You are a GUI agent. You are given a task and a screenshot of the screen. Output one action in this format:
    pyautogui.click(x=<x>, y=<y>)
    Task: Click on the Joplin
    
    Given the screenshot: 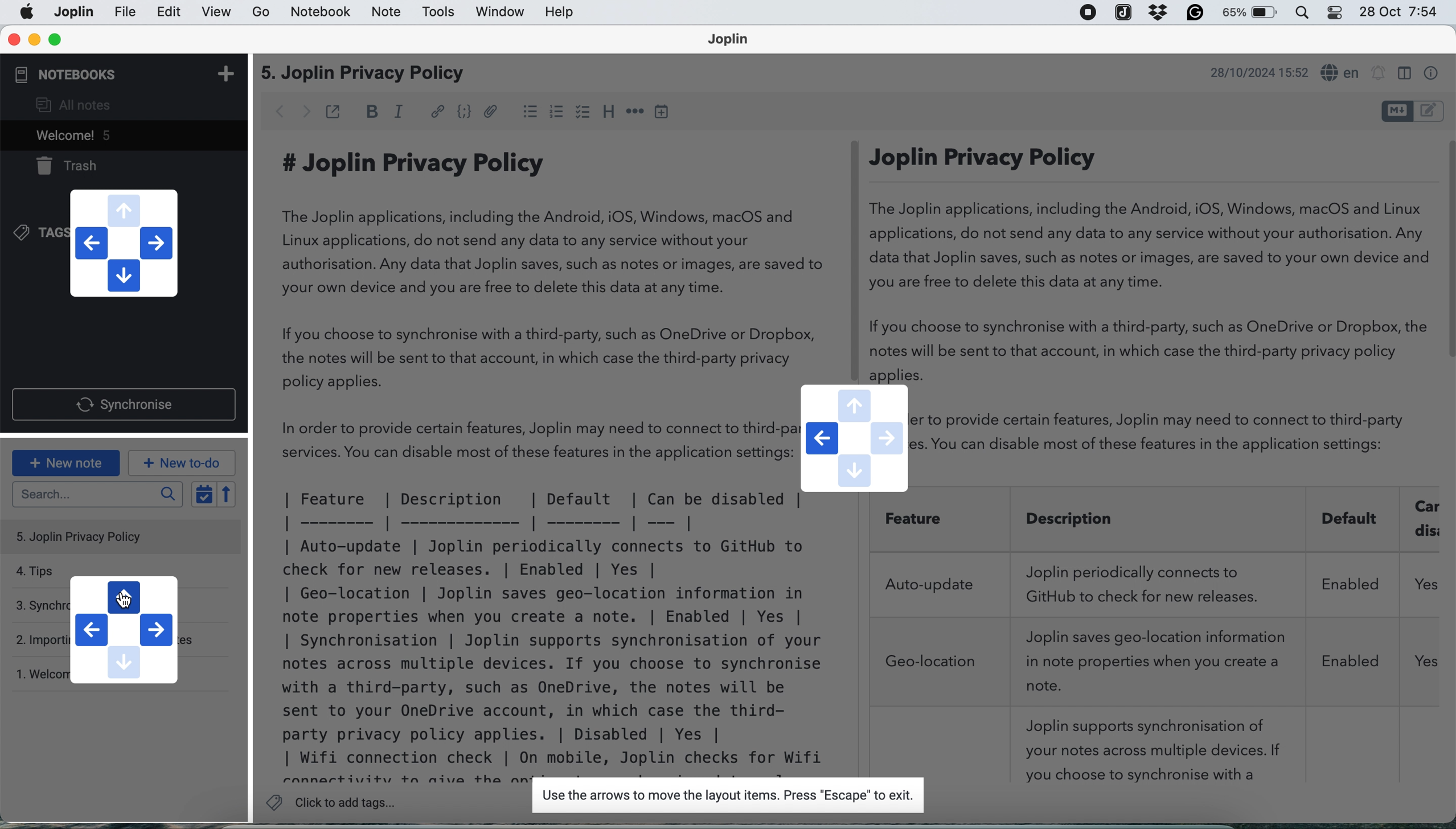 What is the action you would take?
    pyautogui.click(x=735, y=41)
    